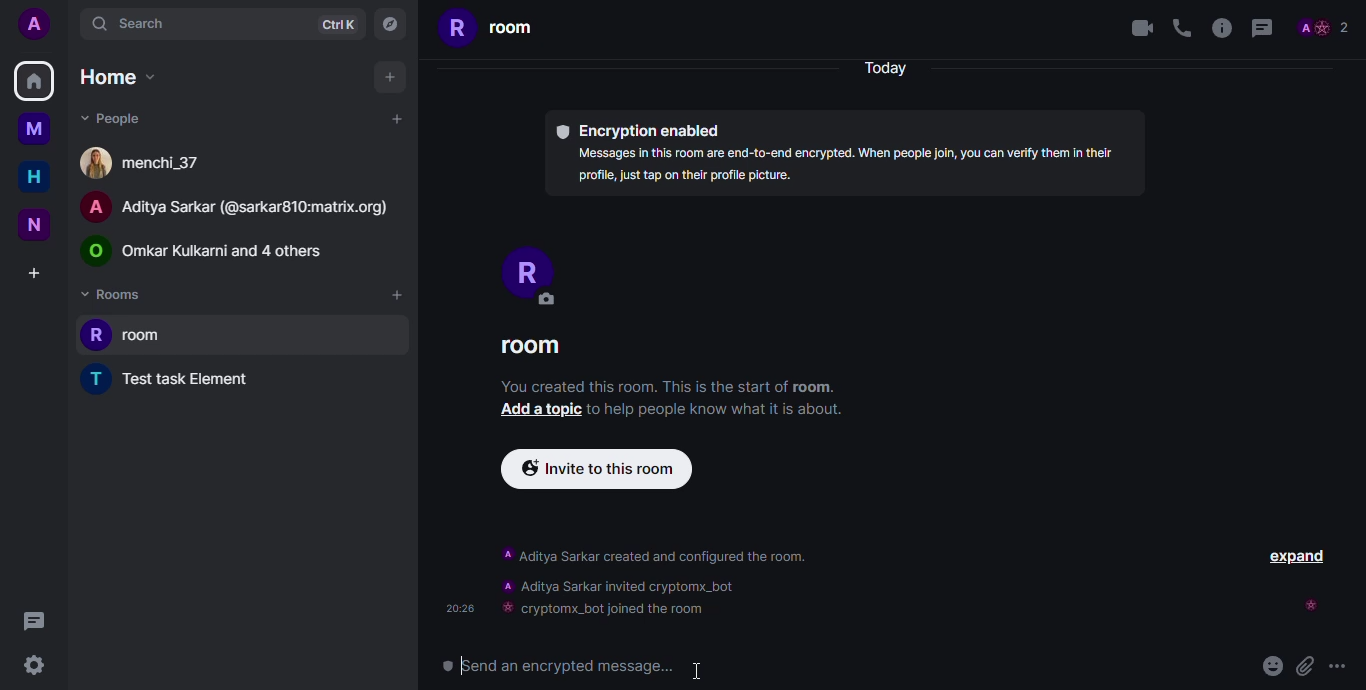  What do you see at coordinates (642, 127) in the screenshot?
I see `Encryption enabled` at bounding box center [642, 127].